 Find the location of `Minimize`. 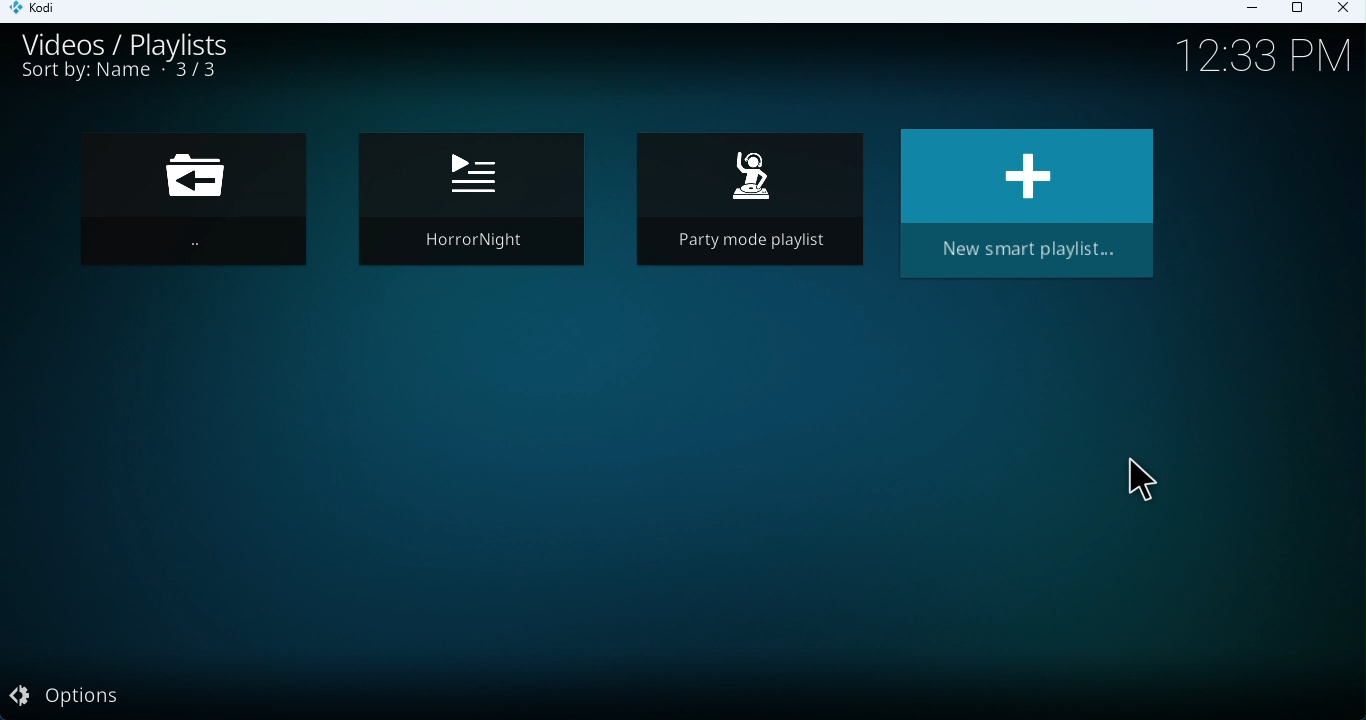

Minimize is located at coordinates (1259, 13).